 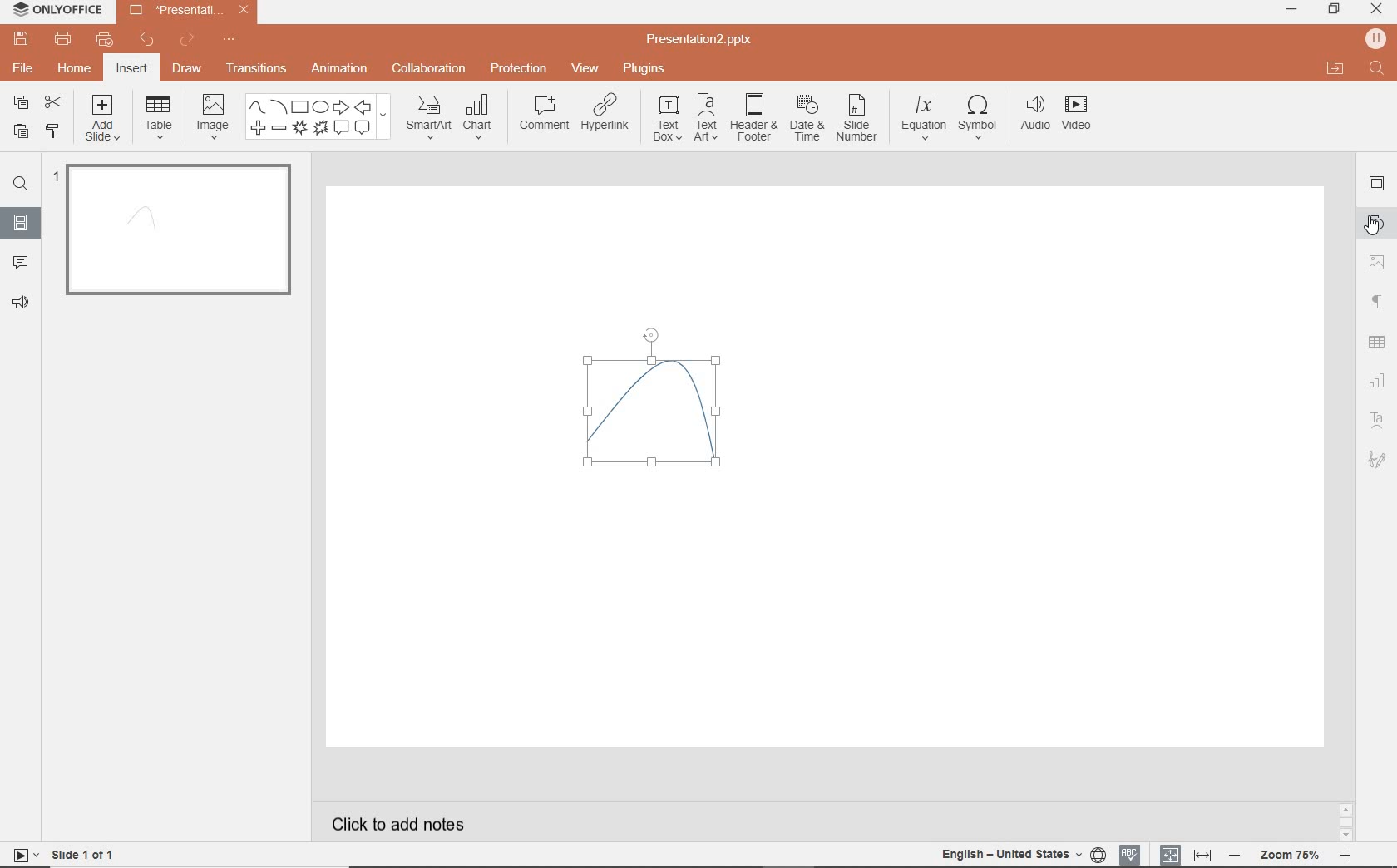 What do you see at coordinates (1379, 421) in the screenshot?
I see `TEXT ART SETTINGS` at bounding box center [1379, 421].